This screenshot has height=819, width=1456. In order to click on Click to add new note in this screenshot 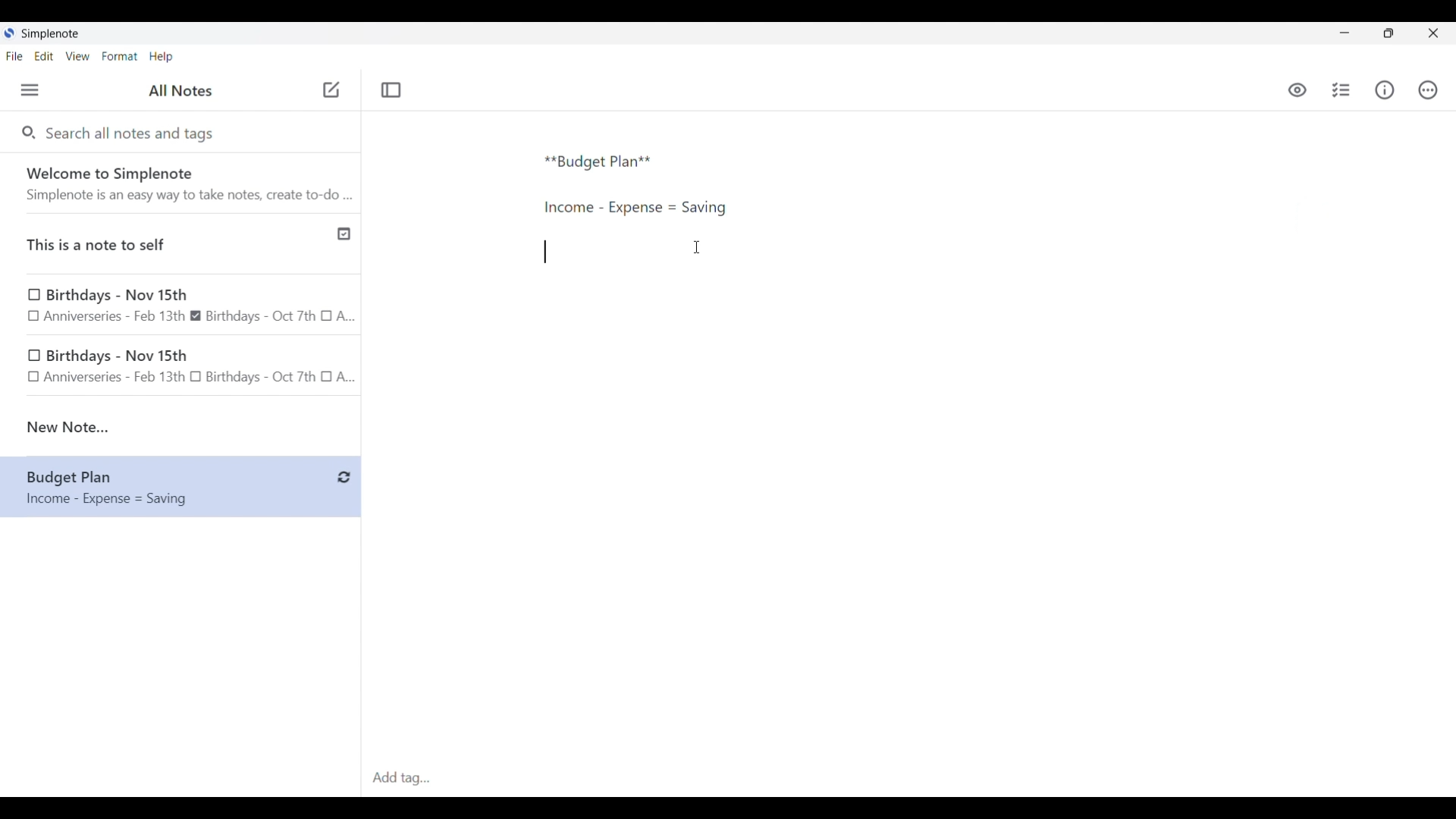, I will do `click(331, 89)`.